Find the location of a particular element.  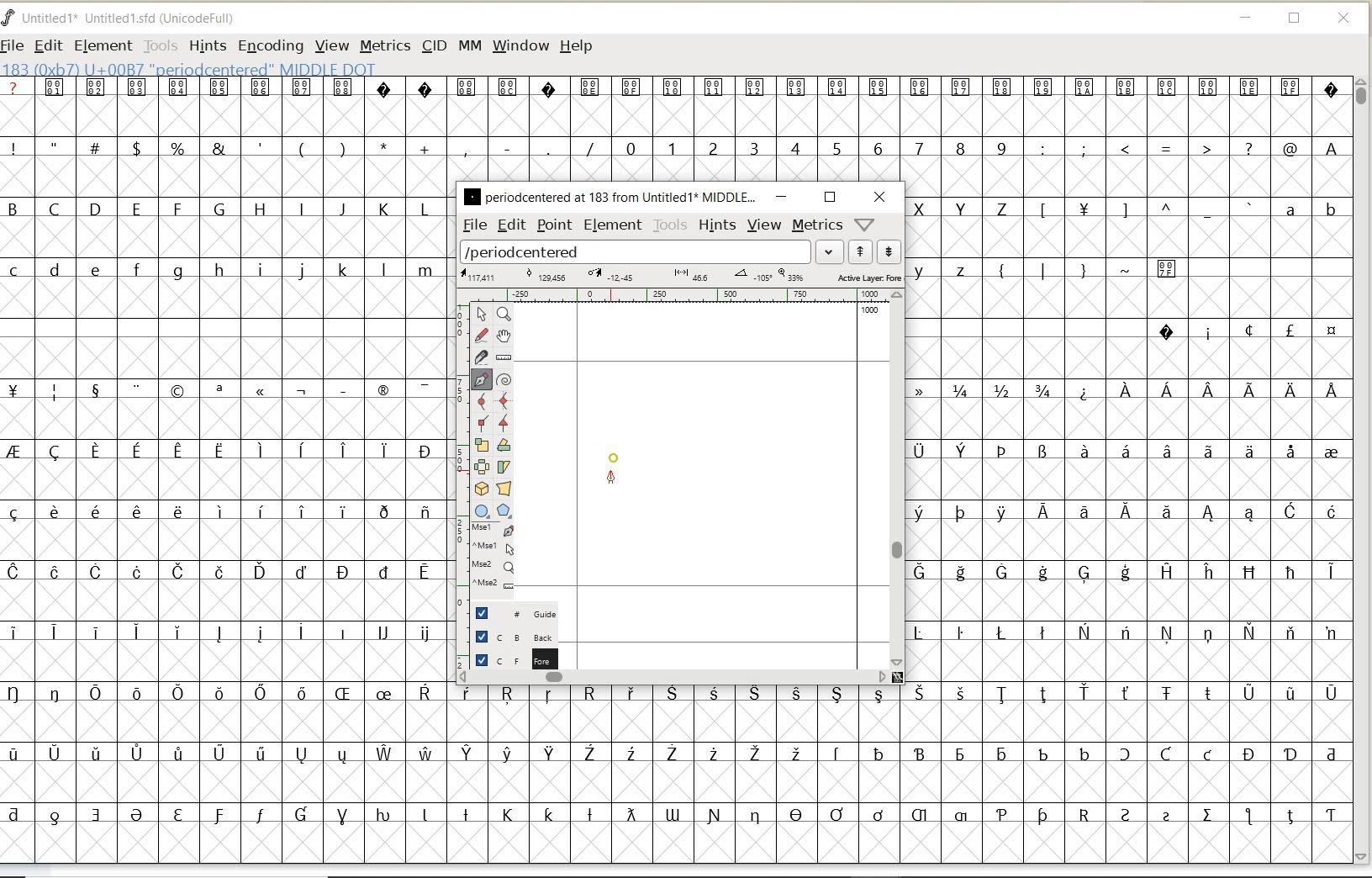

special characters is located at coordinates (1247, 331).